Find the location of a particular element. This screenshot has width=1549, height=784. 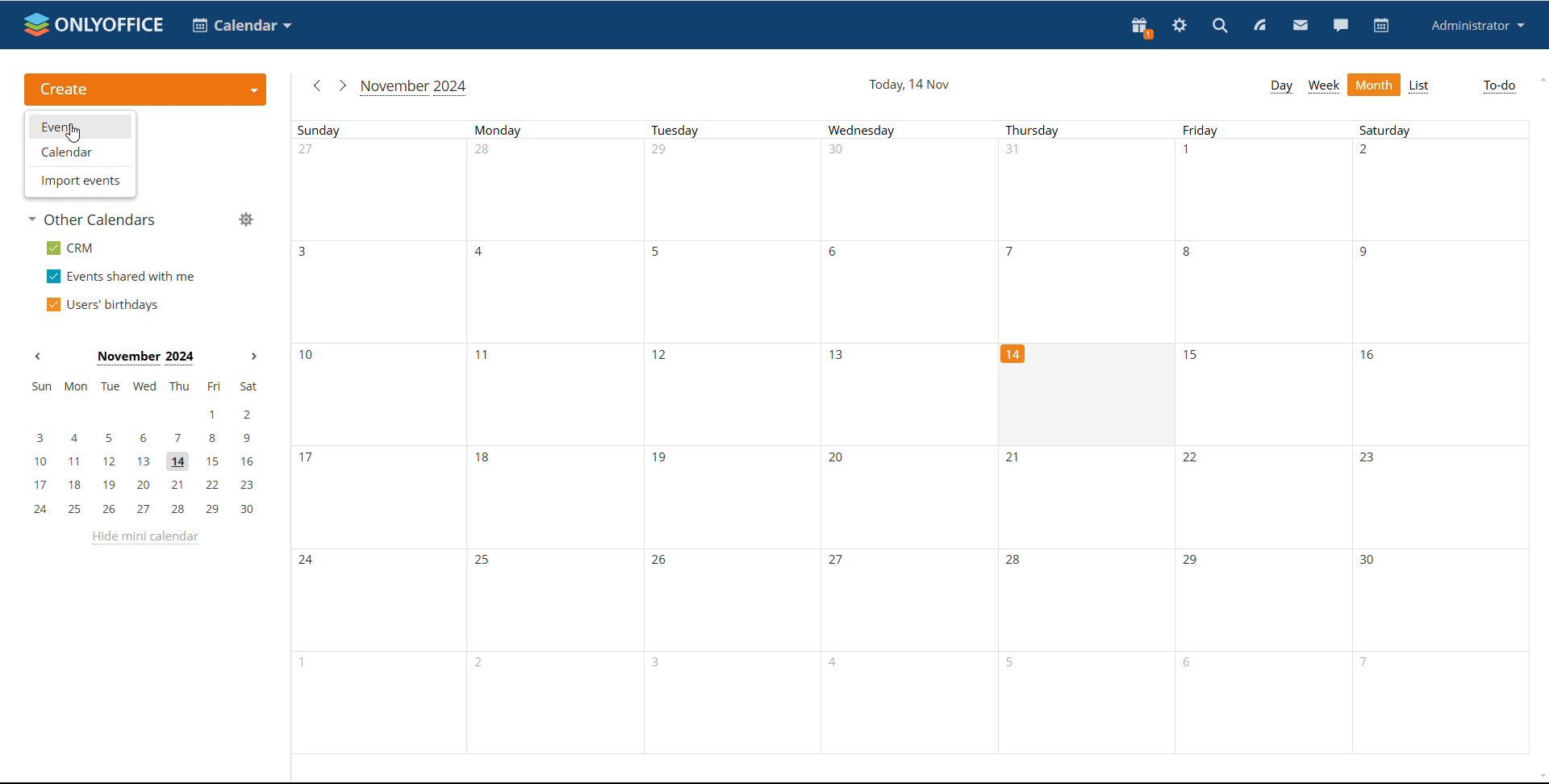

logo is located at coordinates (94, 24).